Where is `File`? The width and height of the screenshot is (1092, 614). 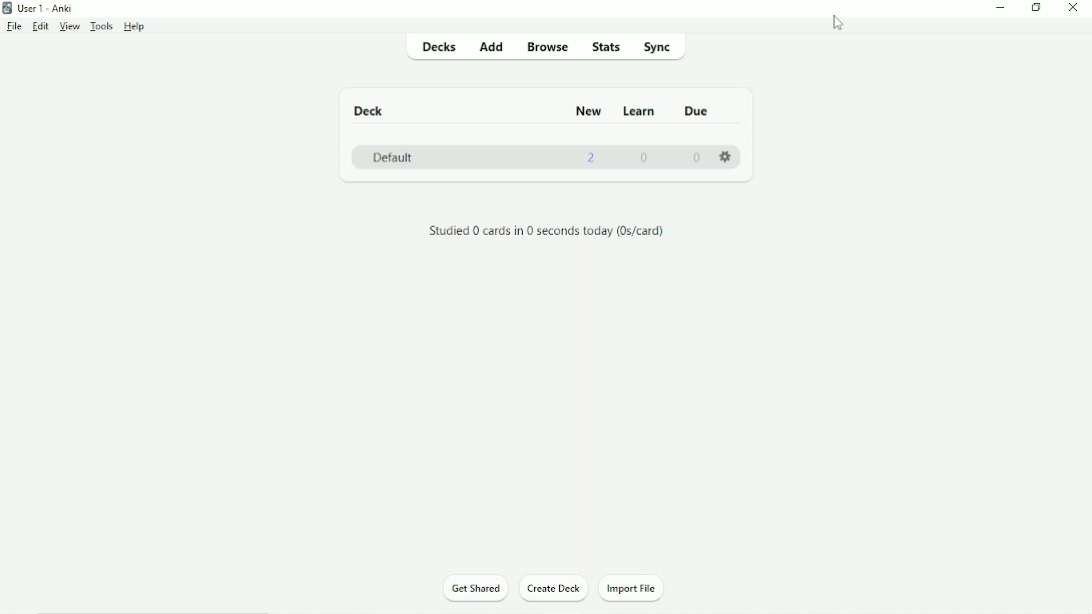 File is located at coordinates (15, 26).